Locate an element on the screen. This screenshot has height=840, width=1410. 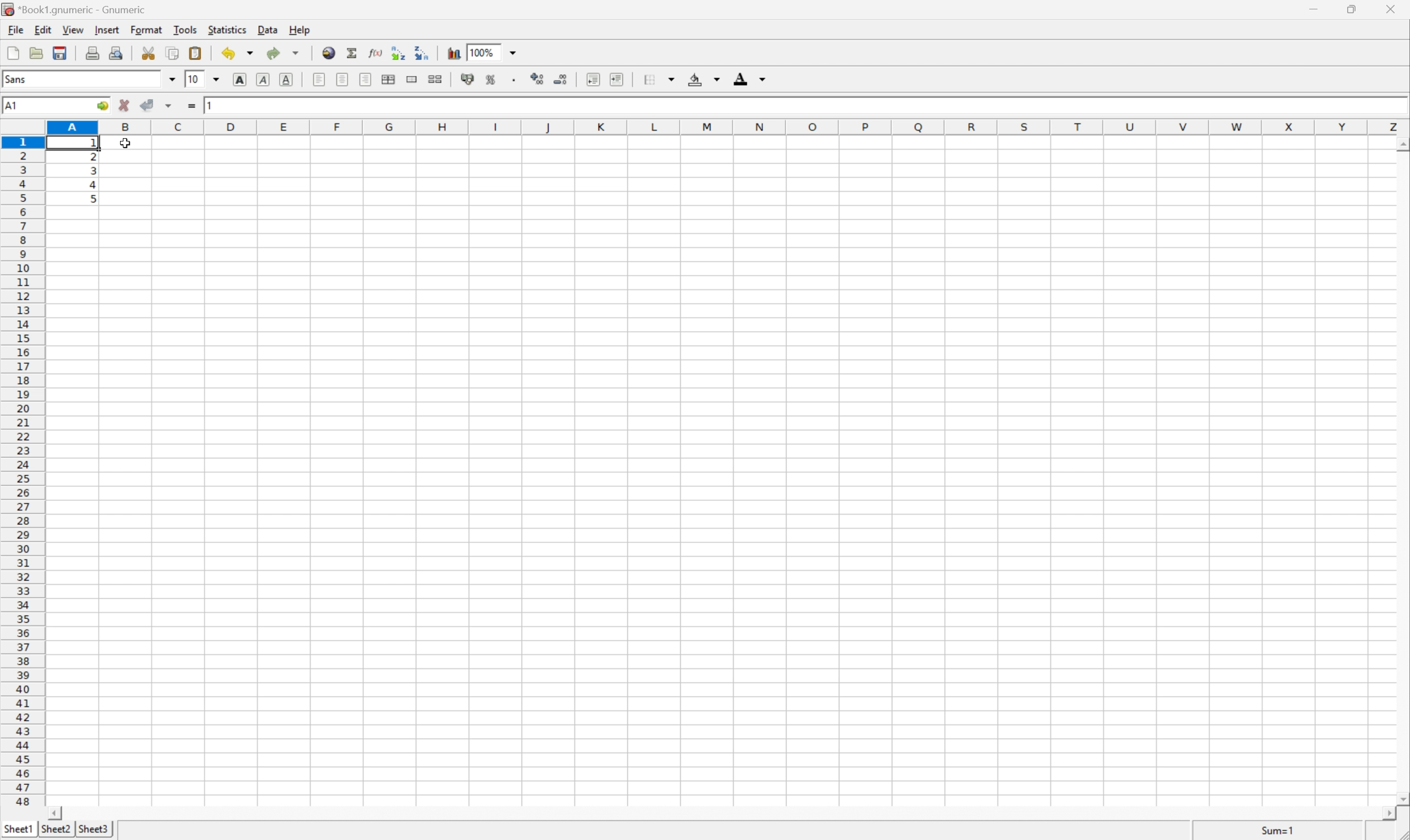
Data is located at coordinates (269, 29).